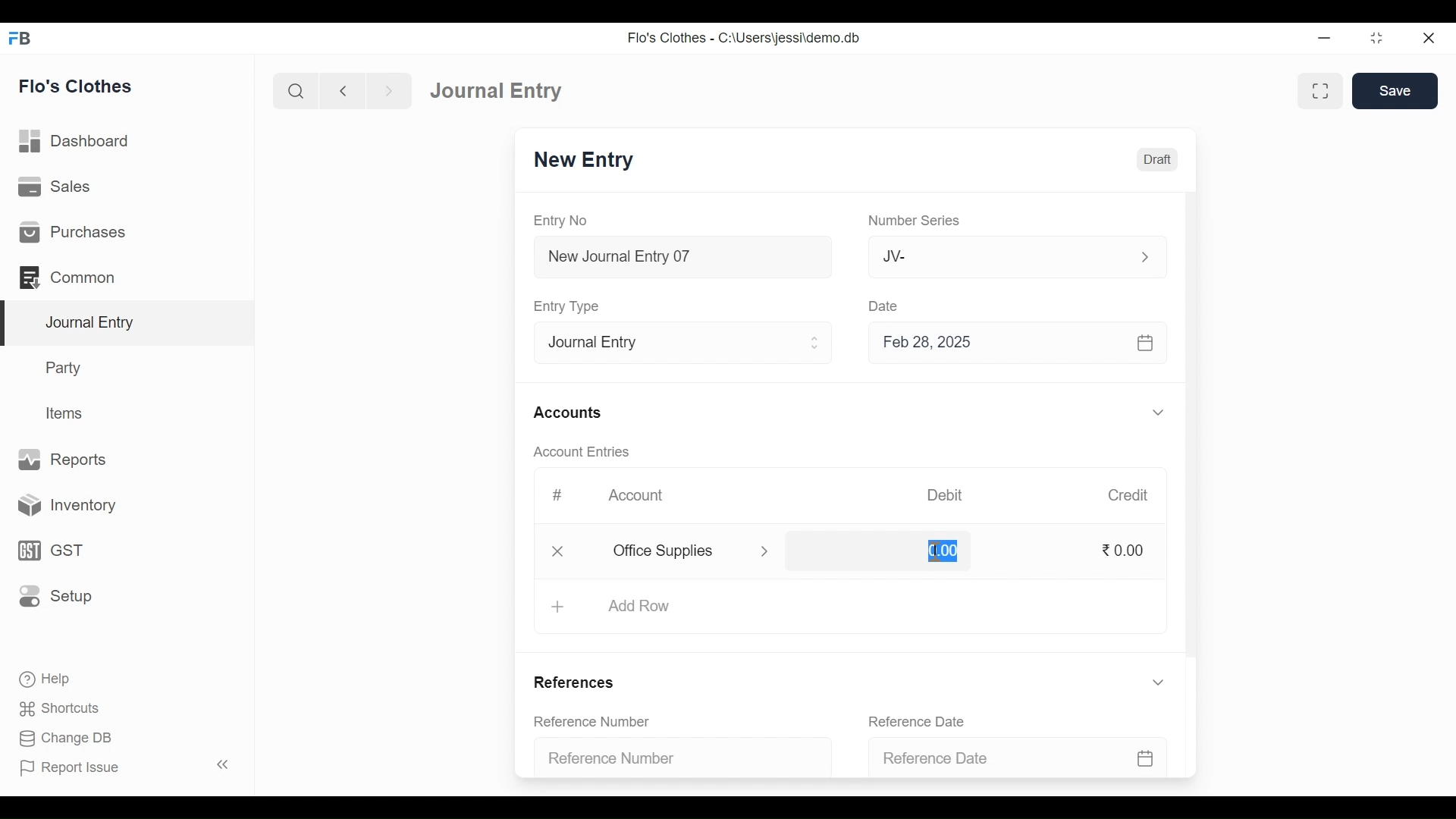 This screenshot has height=819, width=1456. Describe the element at coordinates (1012, 758) in the screenshot. I see `Reference Date` at that location.